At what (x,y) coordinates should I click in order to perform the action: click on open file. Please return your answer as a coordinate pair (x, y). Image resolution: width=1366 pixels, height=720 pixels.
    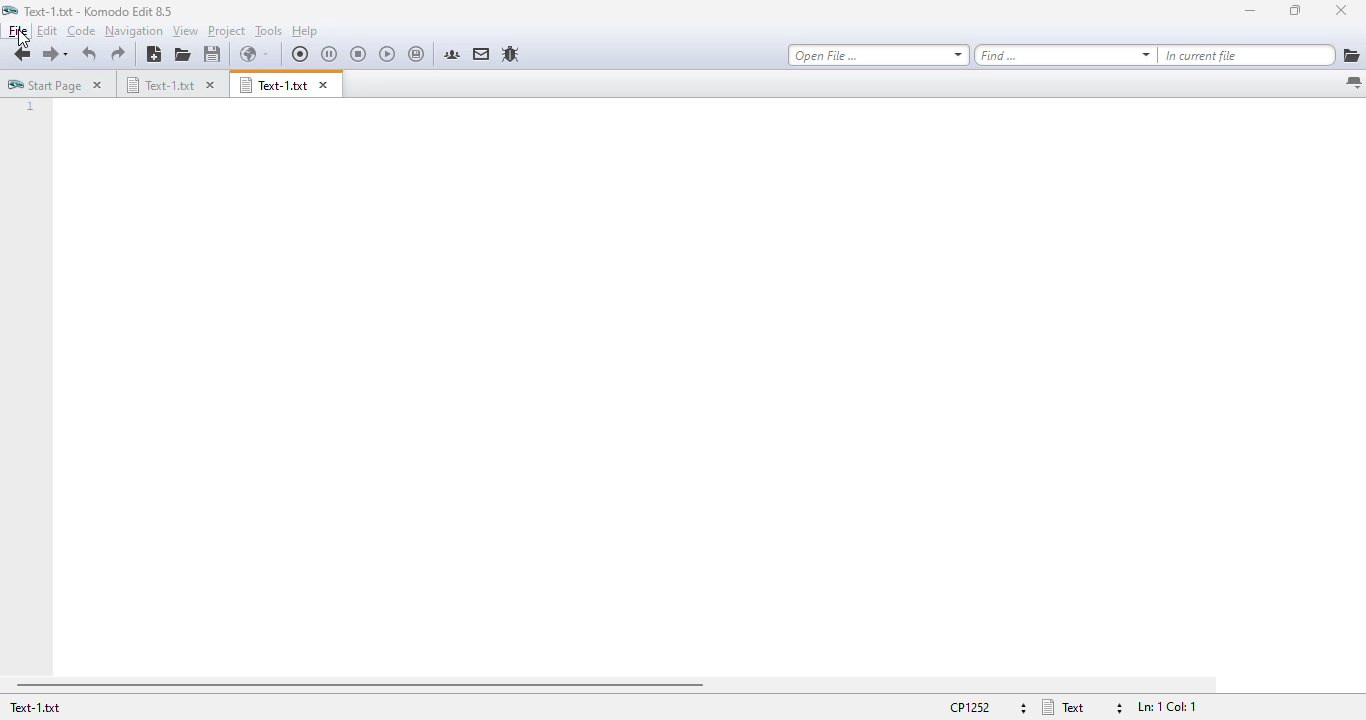
    Looking at the image, I should click on (878, 55).